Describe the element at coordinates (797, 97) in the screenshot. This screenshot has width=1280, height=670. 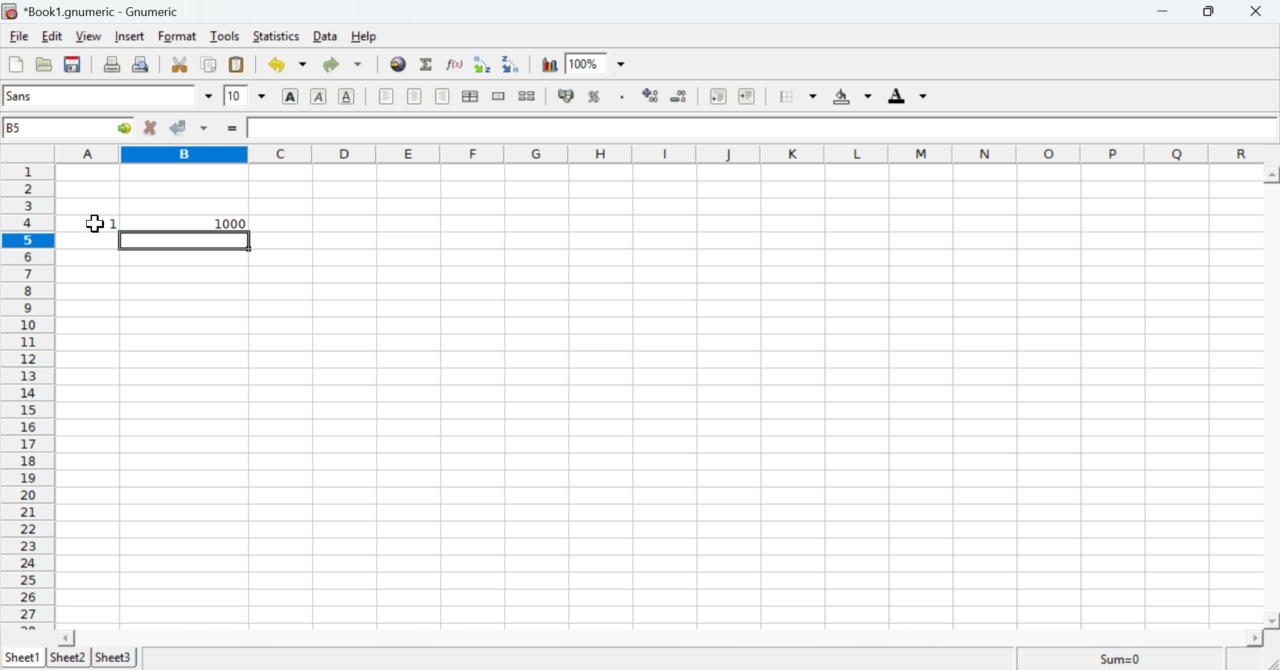
I see `Borders` at that location.